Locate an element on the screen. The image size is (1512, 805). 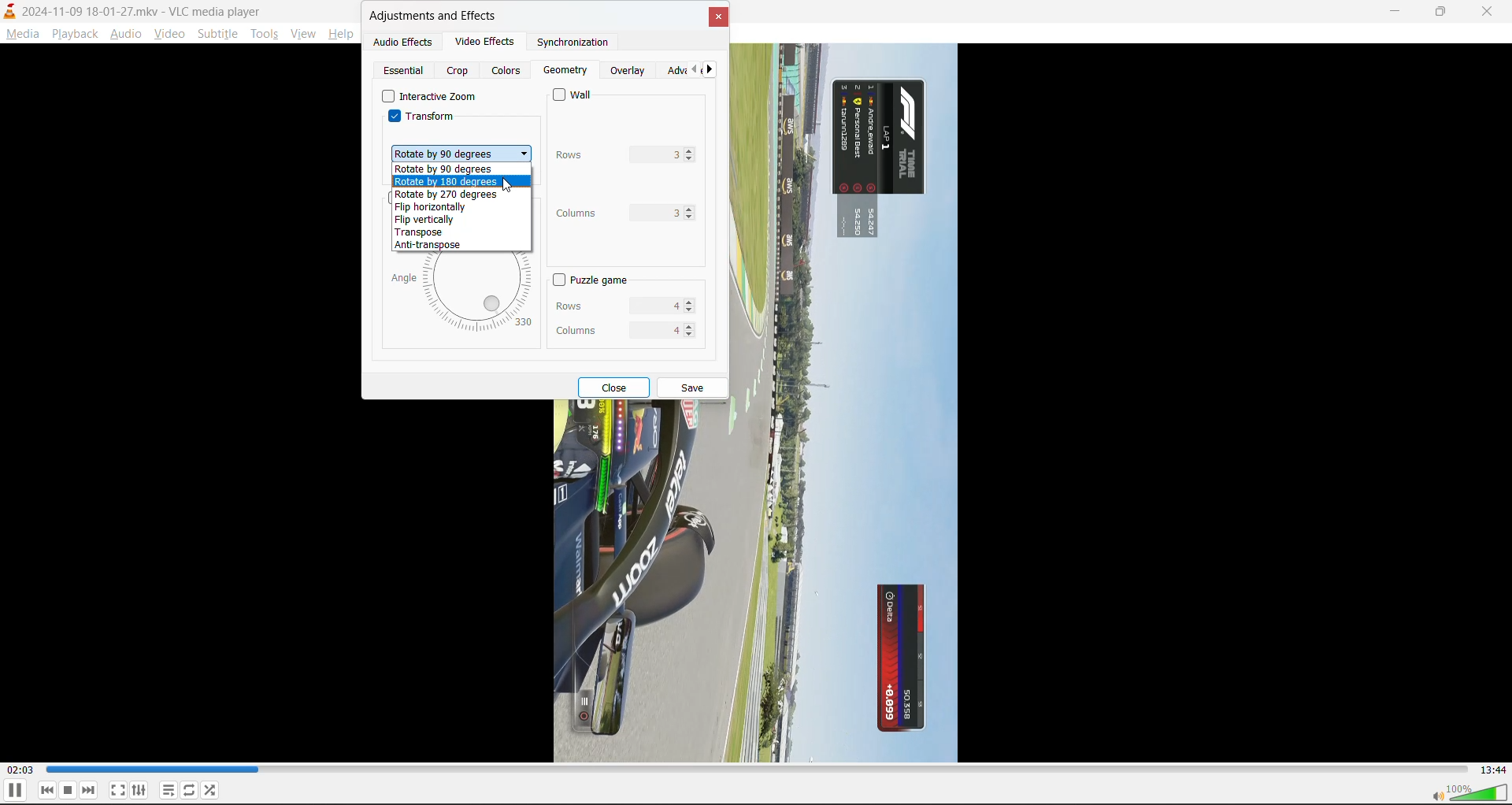
Decrease is located at coordinates (690, 313).